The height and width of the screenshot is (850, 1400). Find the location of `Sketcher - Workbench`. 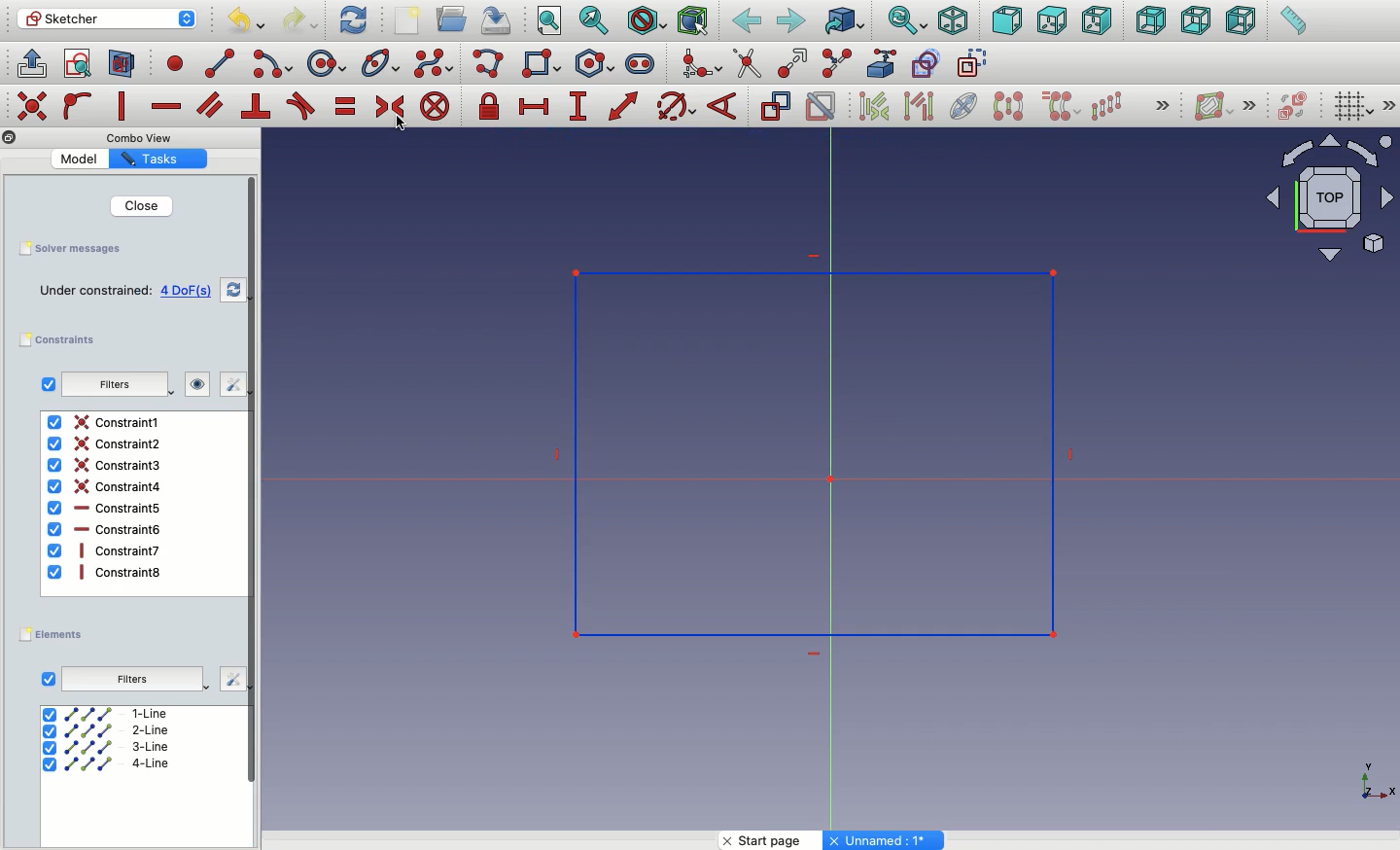

Sketcher - Workbench is located at coordinates (106, 18).